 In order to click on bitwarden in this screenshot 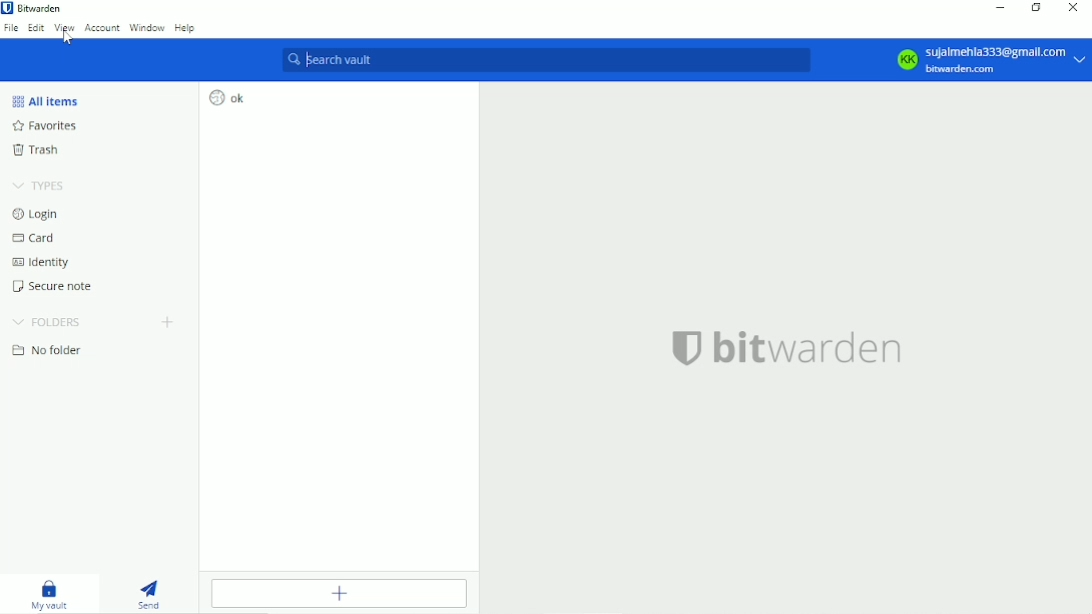, I will do `click(788, 347)`.